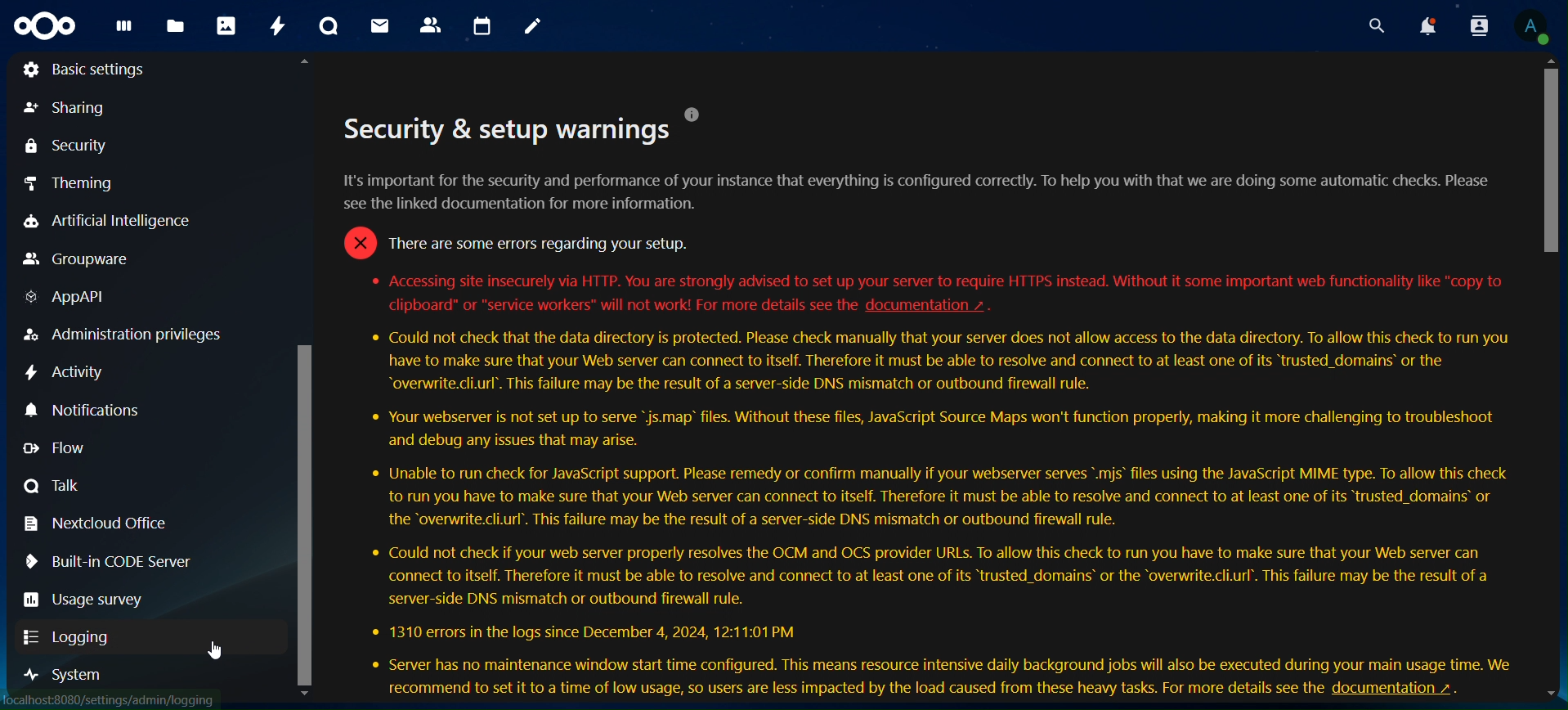 The height and width of the screenshot is (710, 1568). What do you see at coordinates (62, 487) in the screenshot?
I see `talk` at bounding box center [62, 487].